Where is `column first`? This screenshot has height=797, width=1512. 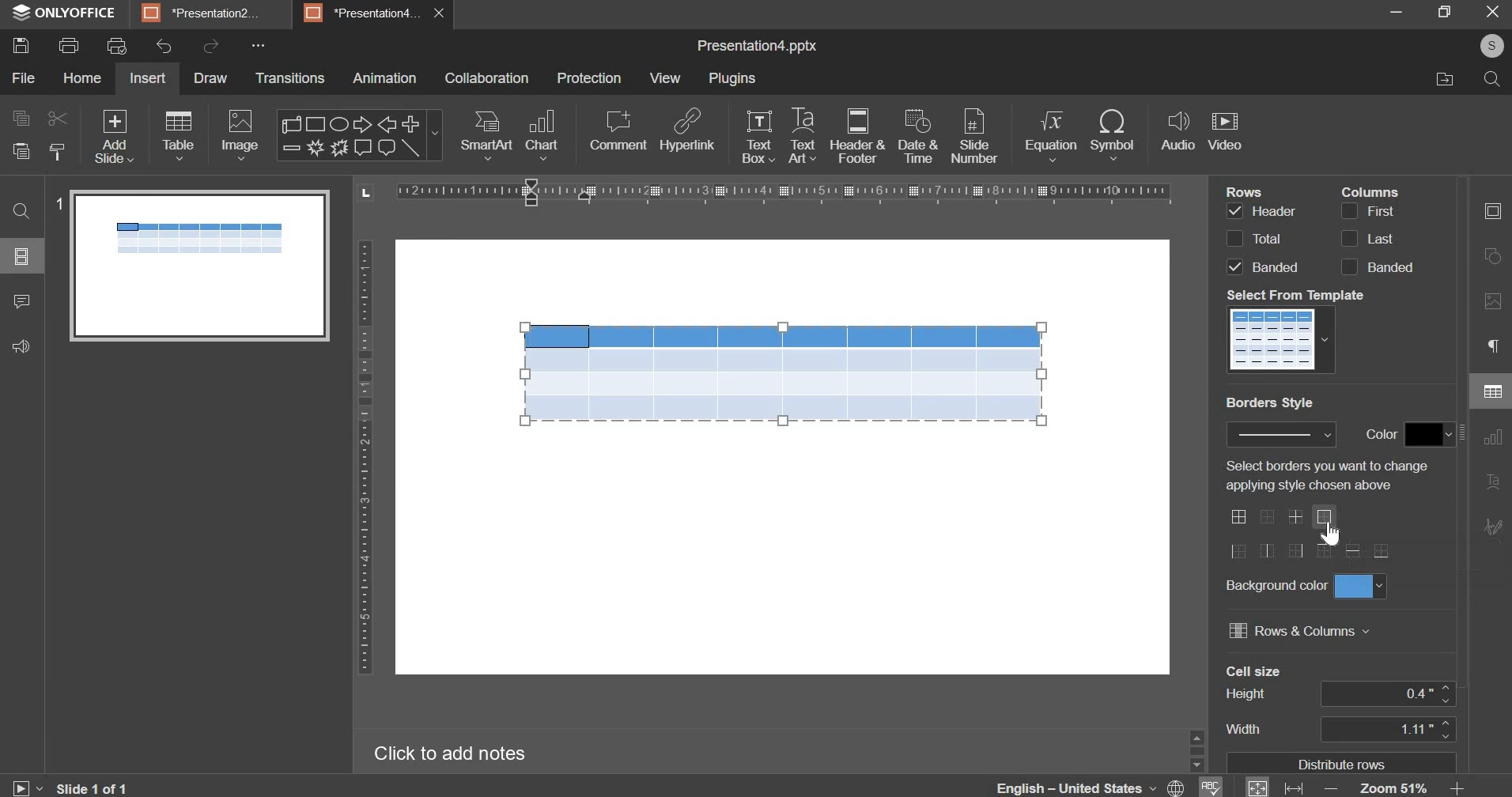
column first is located at coordinates (1367, 210).